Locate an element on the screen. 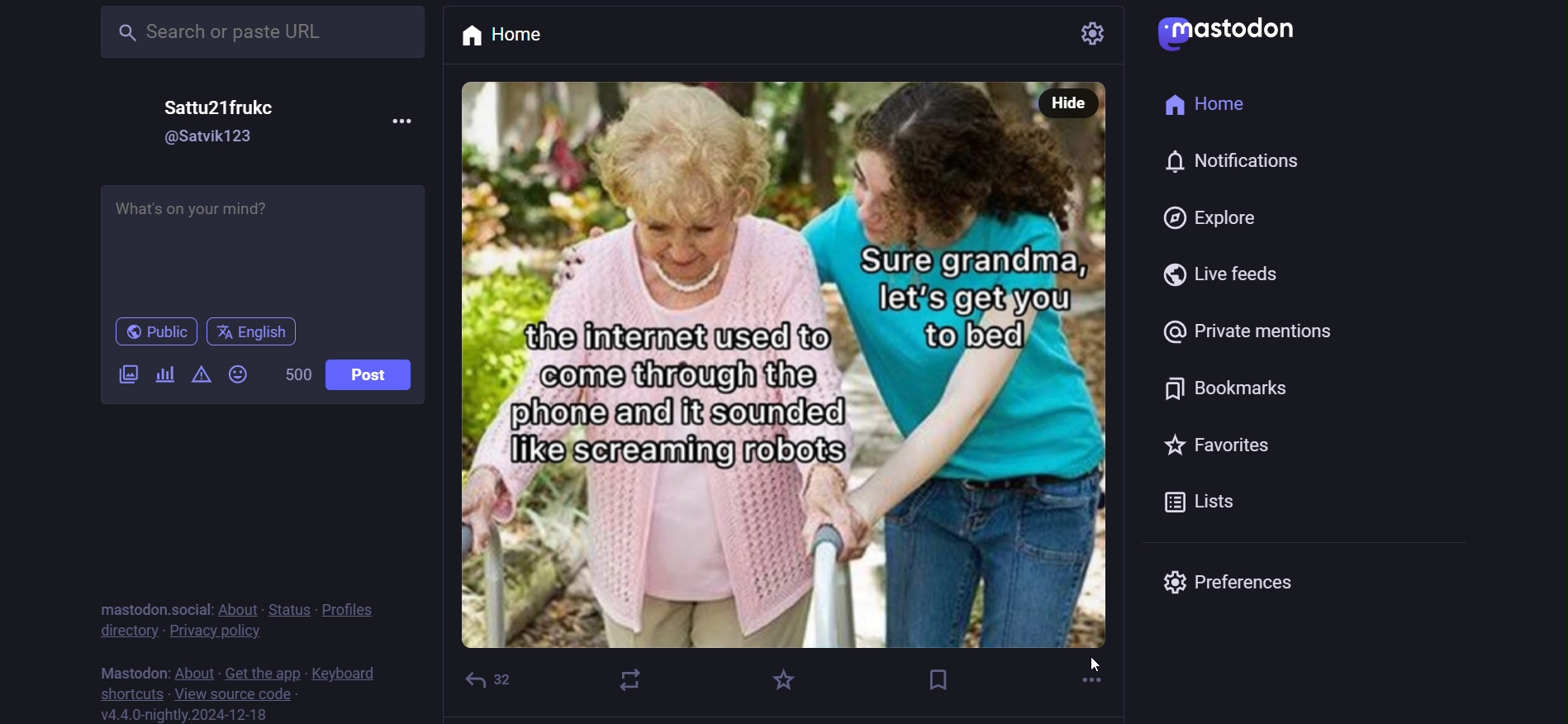 Image resolution: width=1568 pixels, height=724 pixels. emoji is located at coordinates (240, 376).